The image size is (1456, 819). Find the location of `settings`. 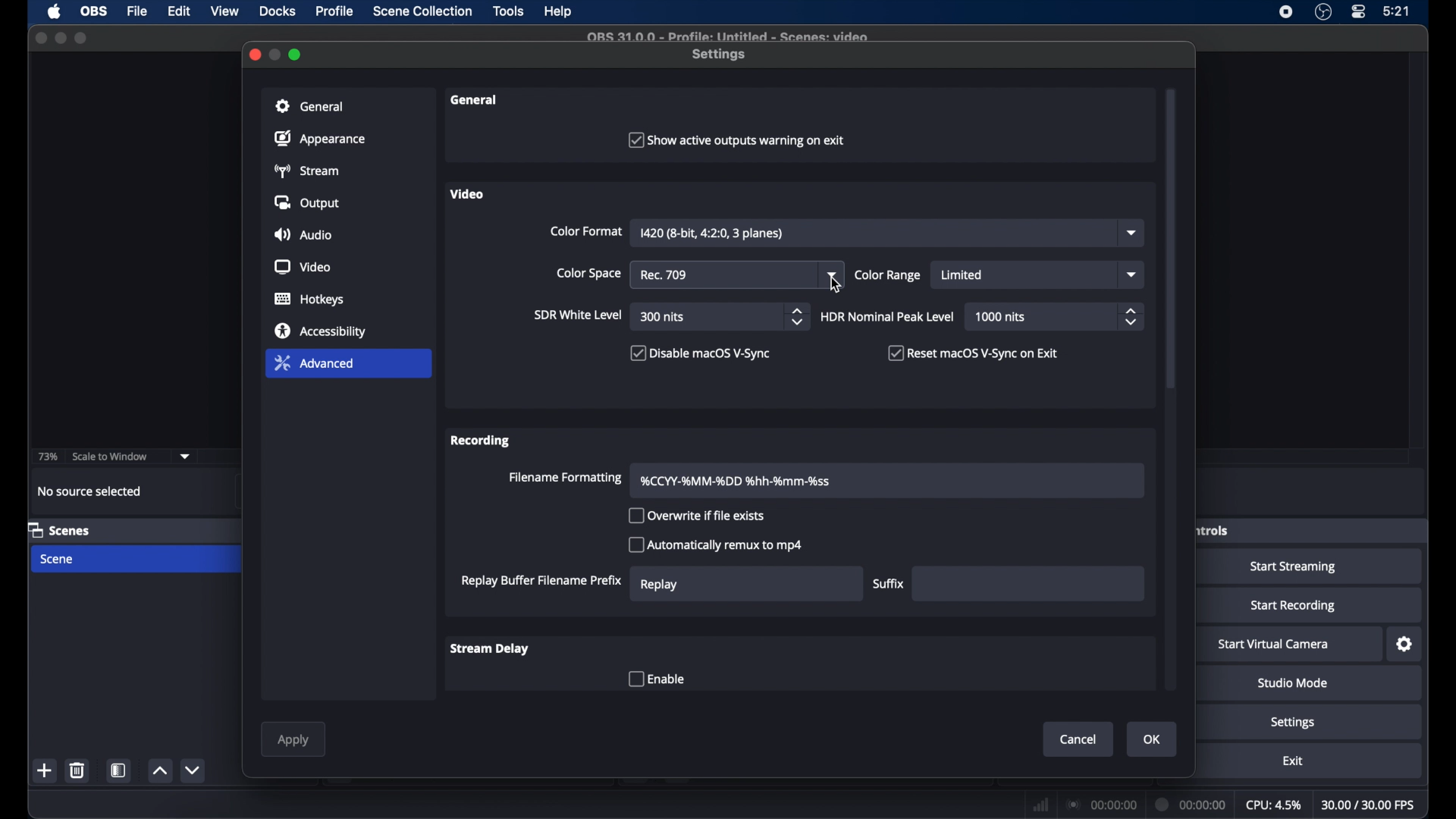

settings is located at coordinates (1292, 723).